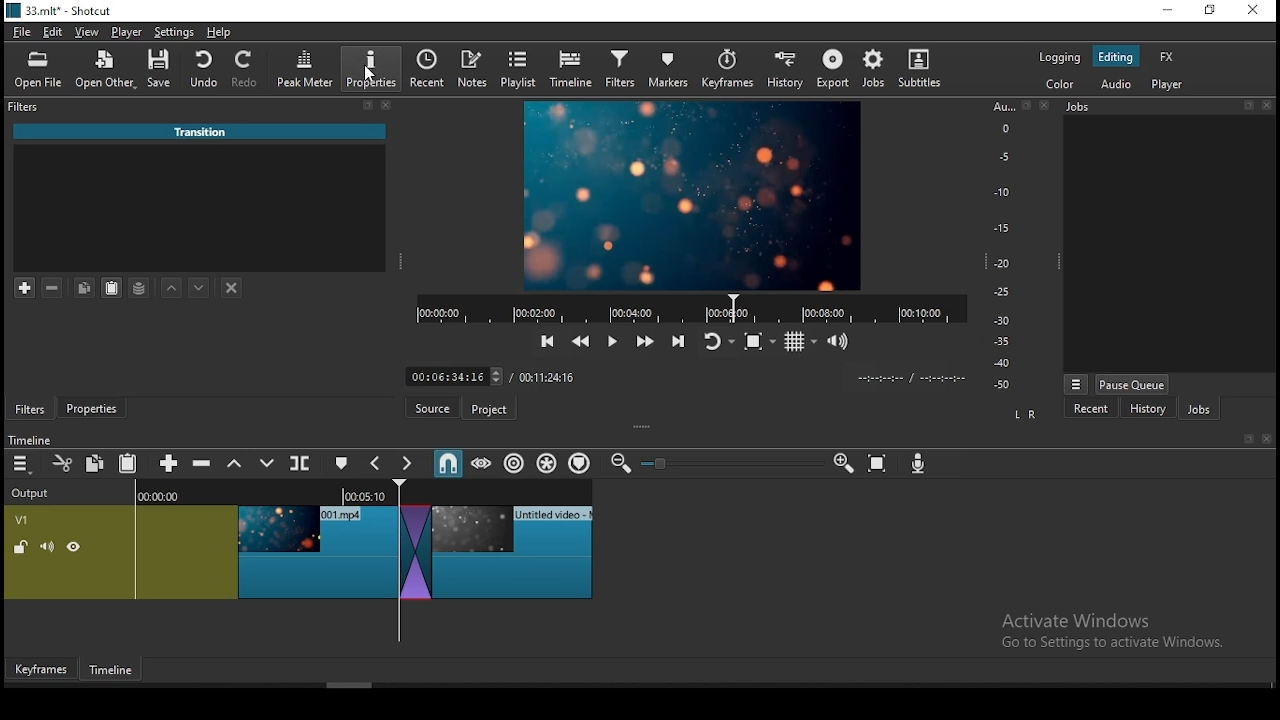 The height and width of the screenshot is (720, 1280). I want to click on Timeframe, so click(116, 672).